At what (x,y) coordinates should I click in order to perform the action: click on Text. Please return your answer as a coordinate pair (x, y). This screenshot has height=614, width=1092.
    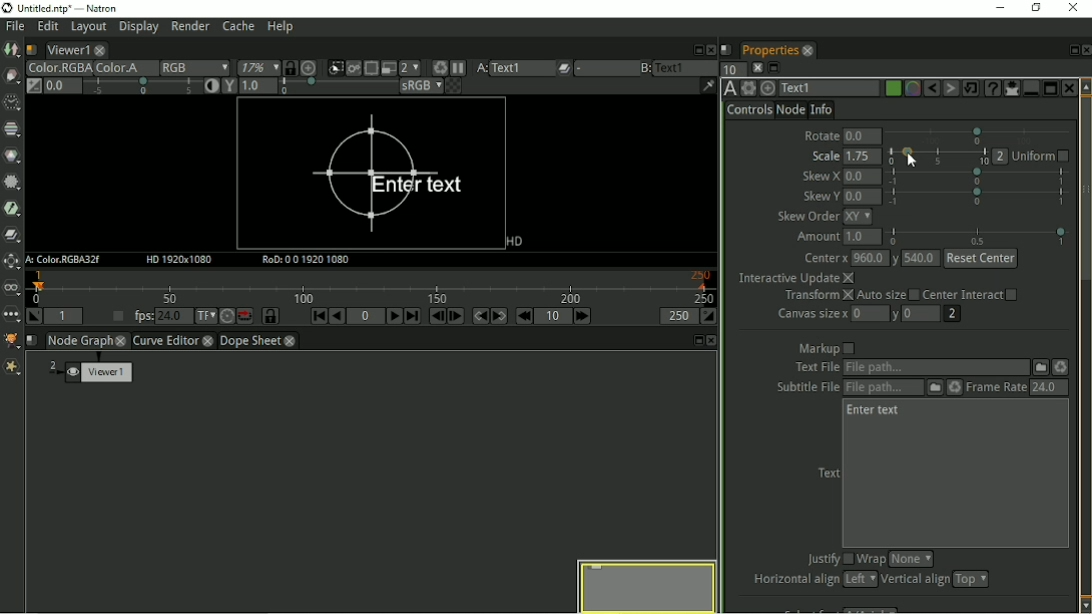
    Looking at the image, I should click on (827, 473).